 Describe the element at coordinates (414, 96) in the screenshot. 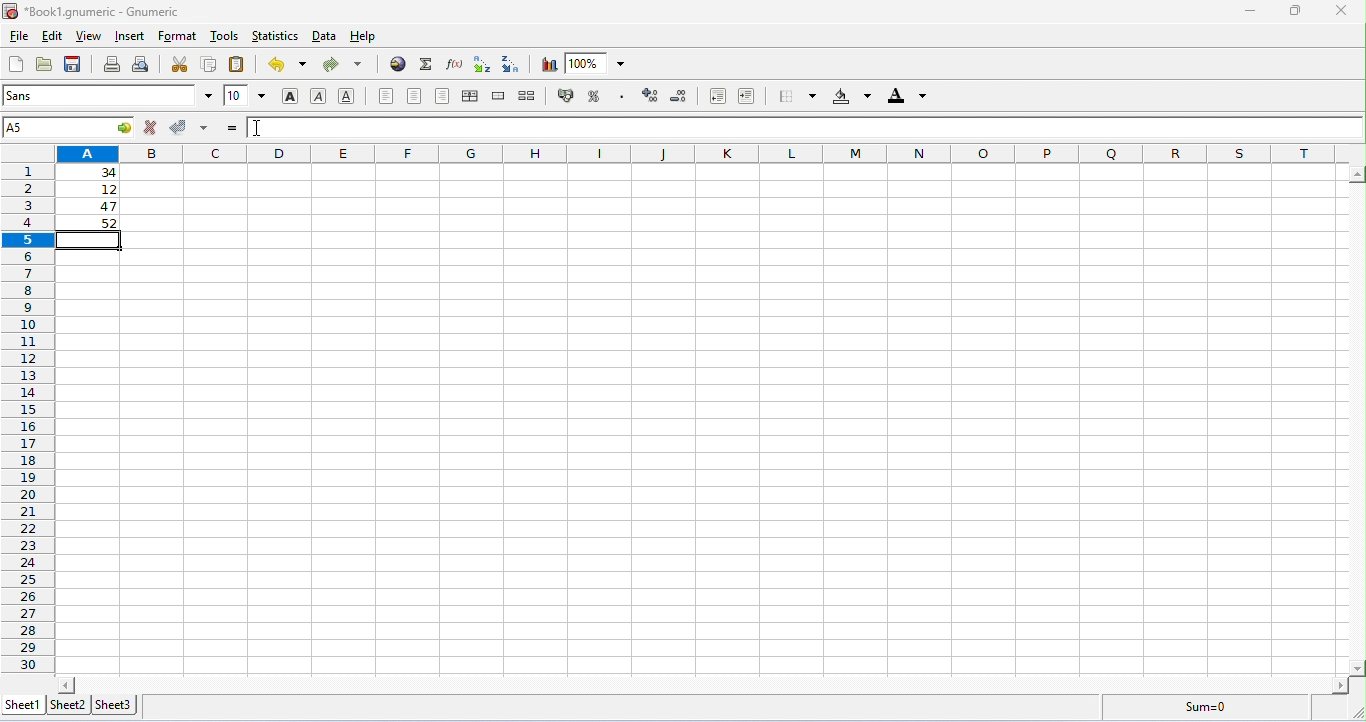

I see `align center` at that location.